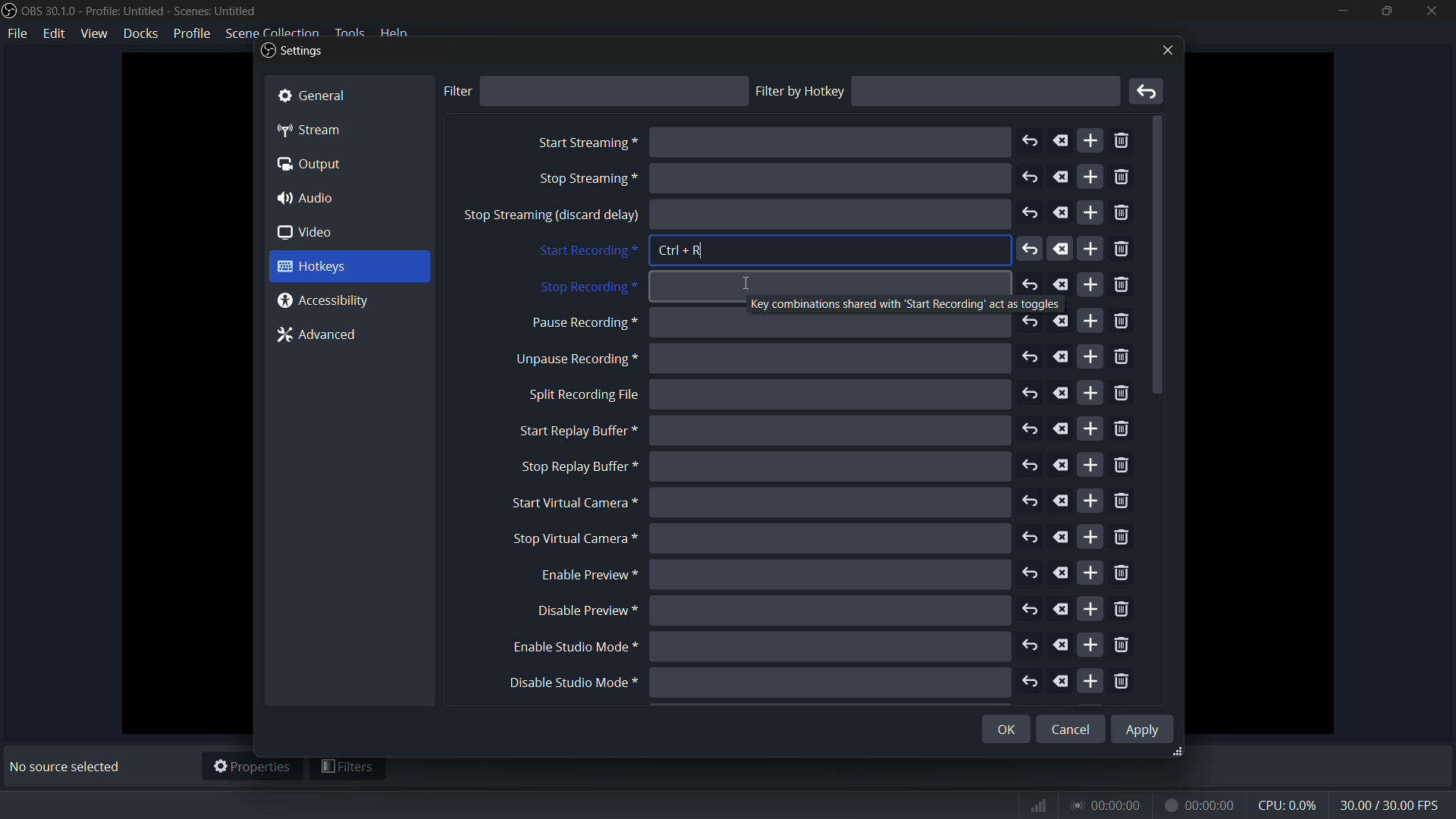 Image resolution: width=1456 pixels, height=819 pixels. I want to click on view menu, so click(94, 33).